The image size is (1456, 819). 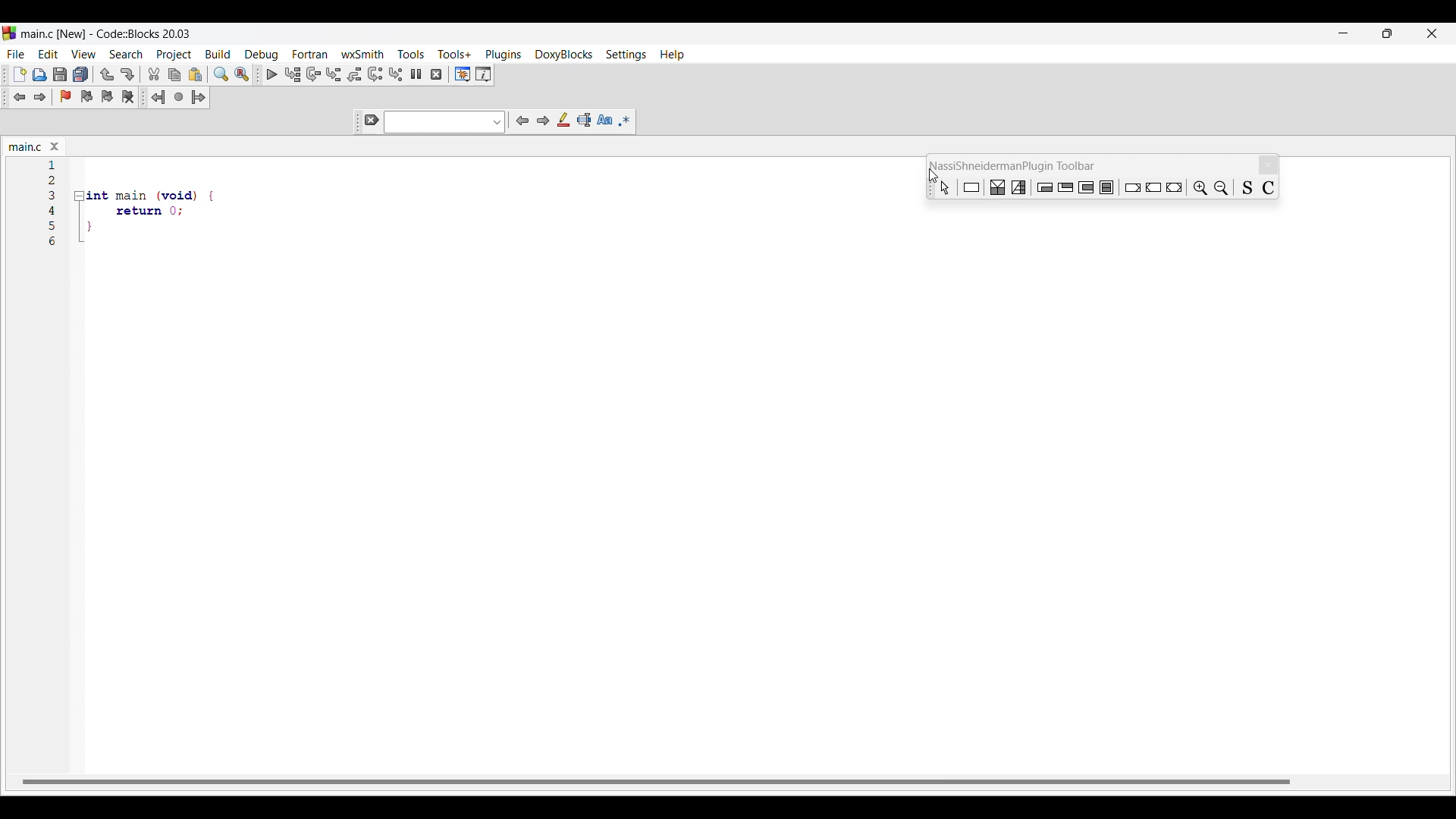 What do you see at coordinates (158, 97) in the screenshot?
I see `Jump back ` at bounding box center [158, 97].